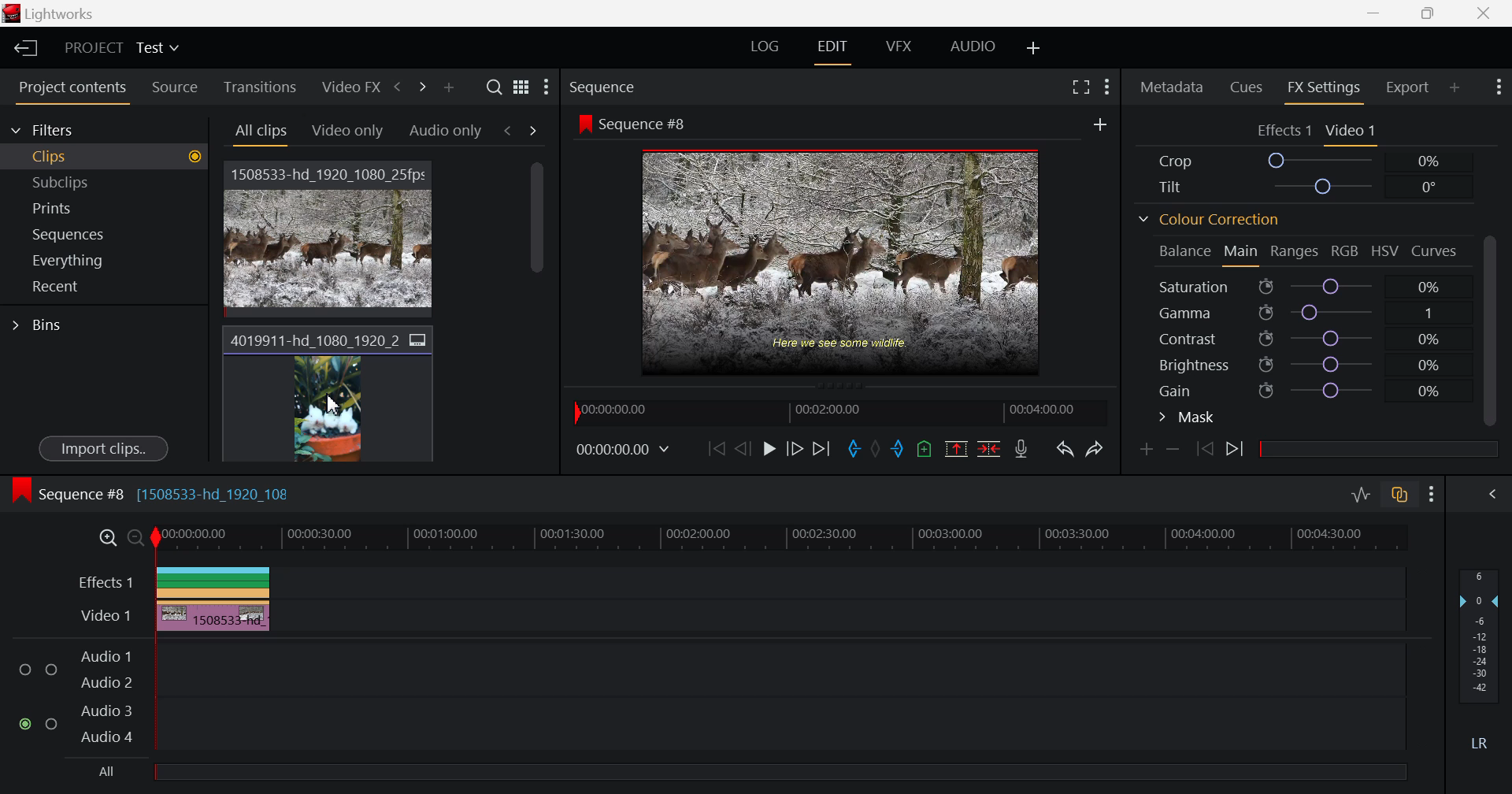 The image size is (1512, 794). I want to click on Full Screen, so click(1081, 86).